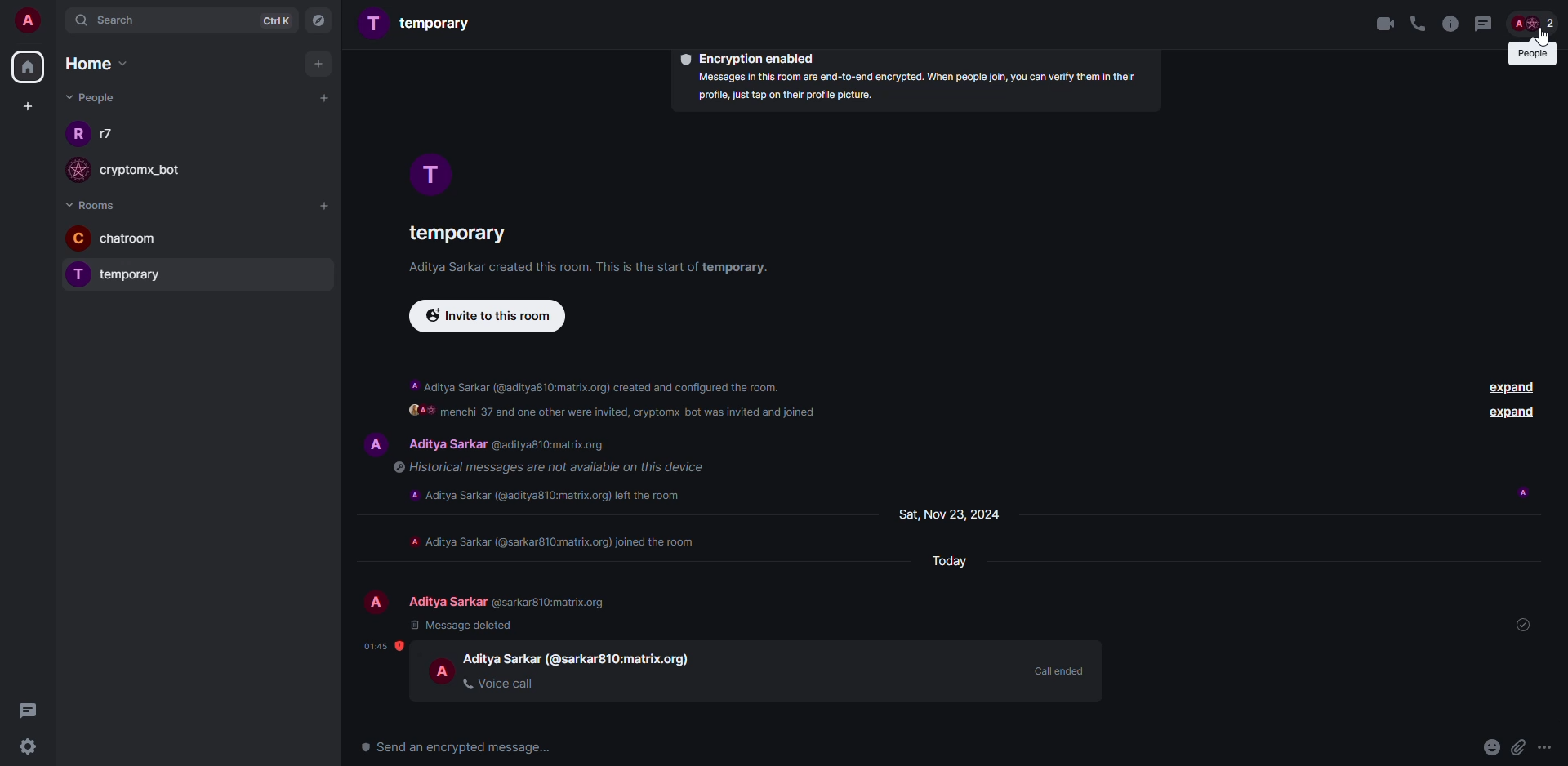 This screenshot has width=1568, height=766. What do you see at coordinates (96, 204) in the screenshot?
I see `rooms` at bounding box center [96, 204].